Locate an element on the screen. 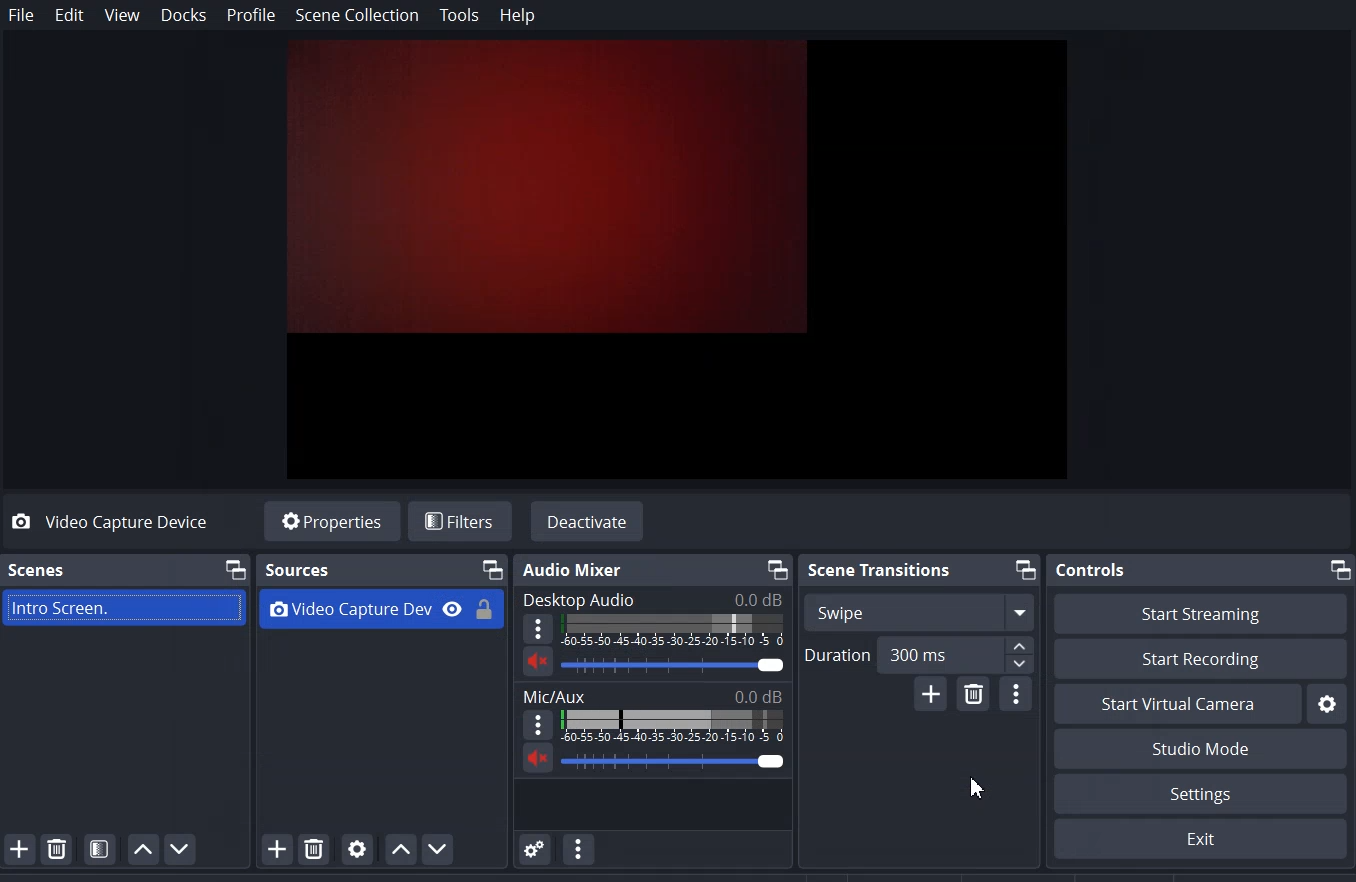 The image size is (1356, 882). Move Source Down is located at coordinates (440, 848).